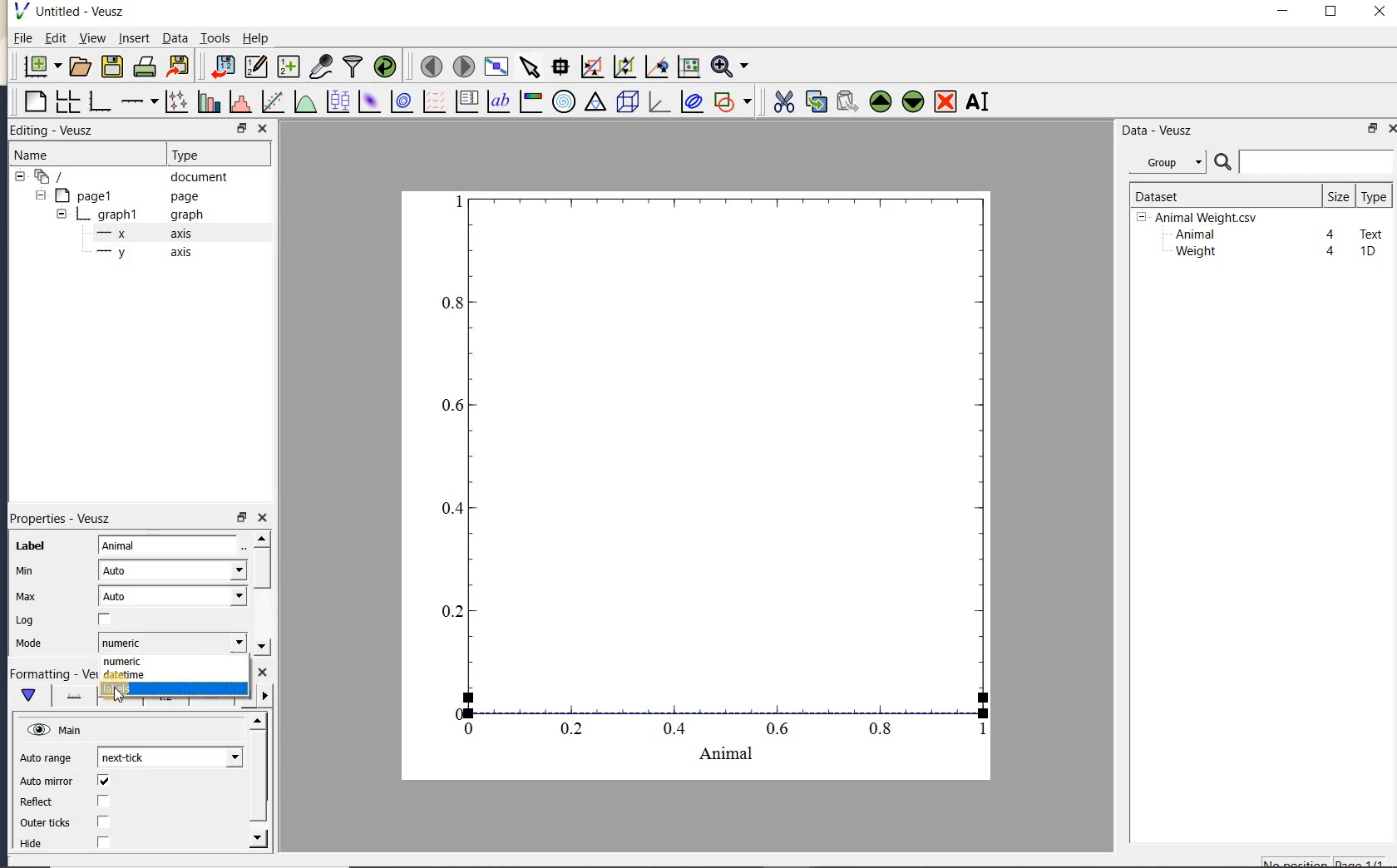  I want to click on numeric, so click(123, 663).